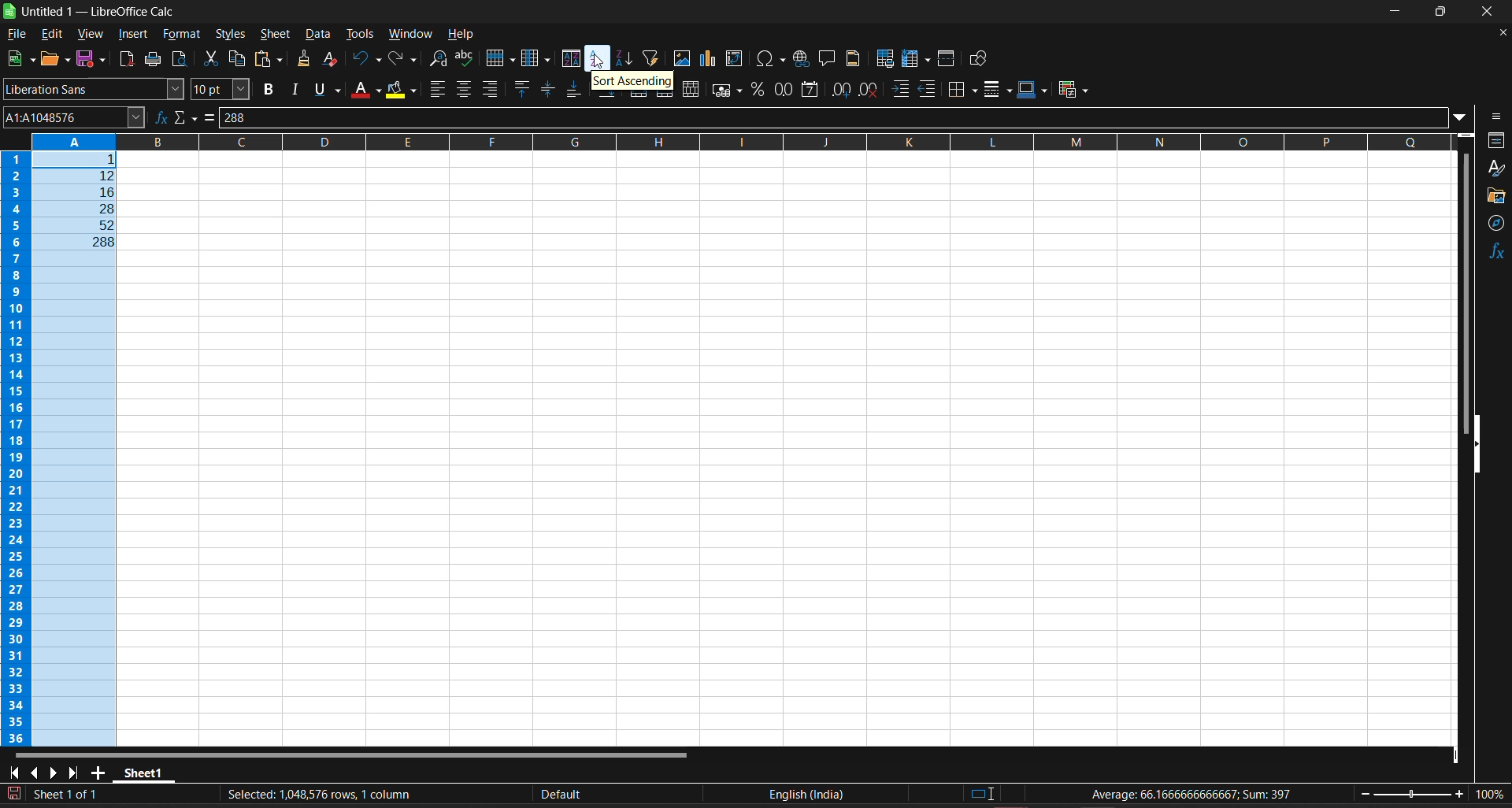 This screenshot has width=1512, height=808. What do you see at coordinates (461, 34) in the screenshot?
I see `help` at bounding box center [461, 34].